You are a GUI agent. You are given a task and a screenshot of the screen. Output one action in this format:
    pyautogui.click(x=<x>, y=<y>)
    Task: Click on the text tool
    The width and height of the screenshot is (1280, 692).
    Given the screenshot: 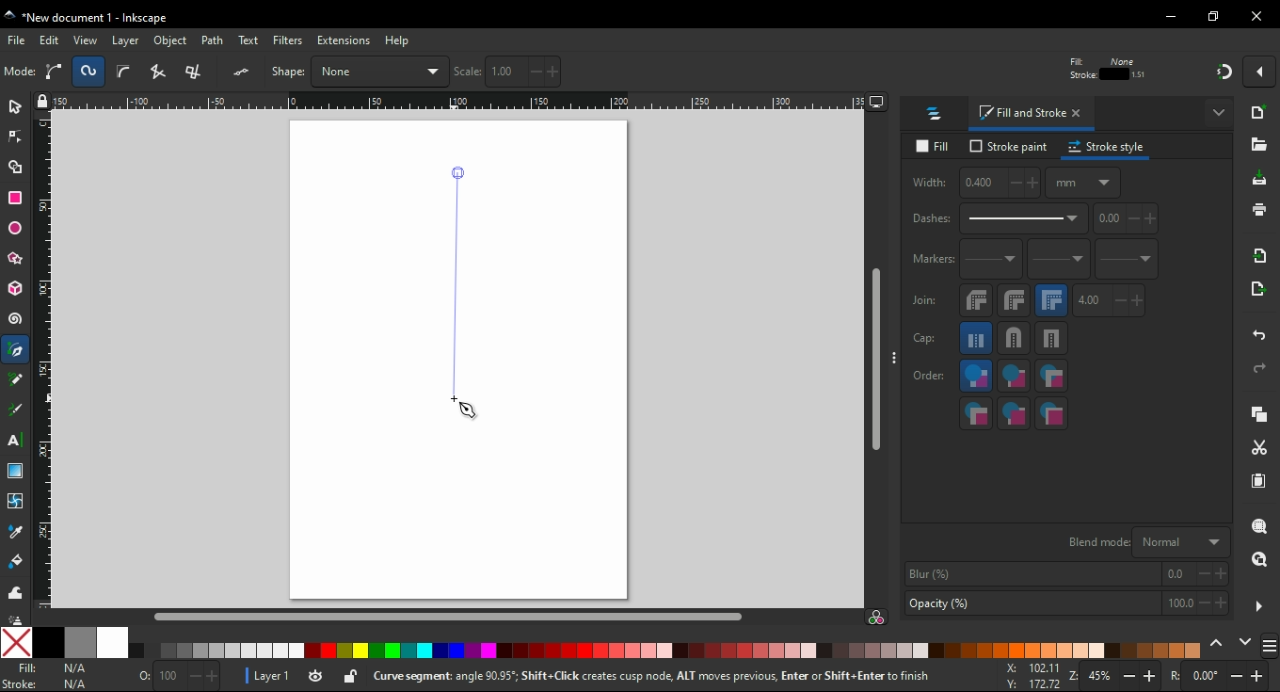 What is the action you would take?
    pyautogui.click(x=15, y=440)
    